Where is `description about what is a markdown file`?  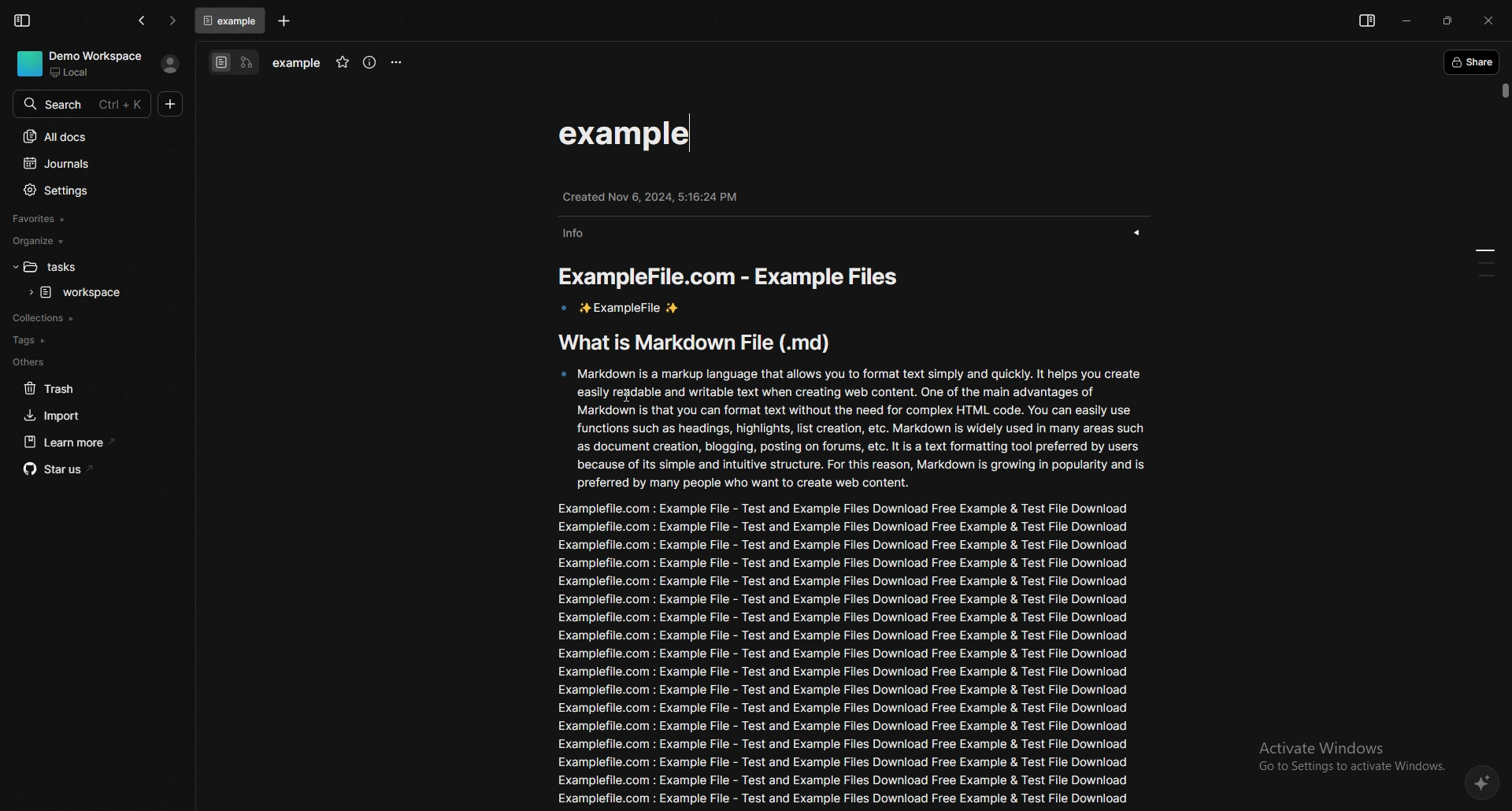 description about what is a markdown file is located at coordinates (832, 430).